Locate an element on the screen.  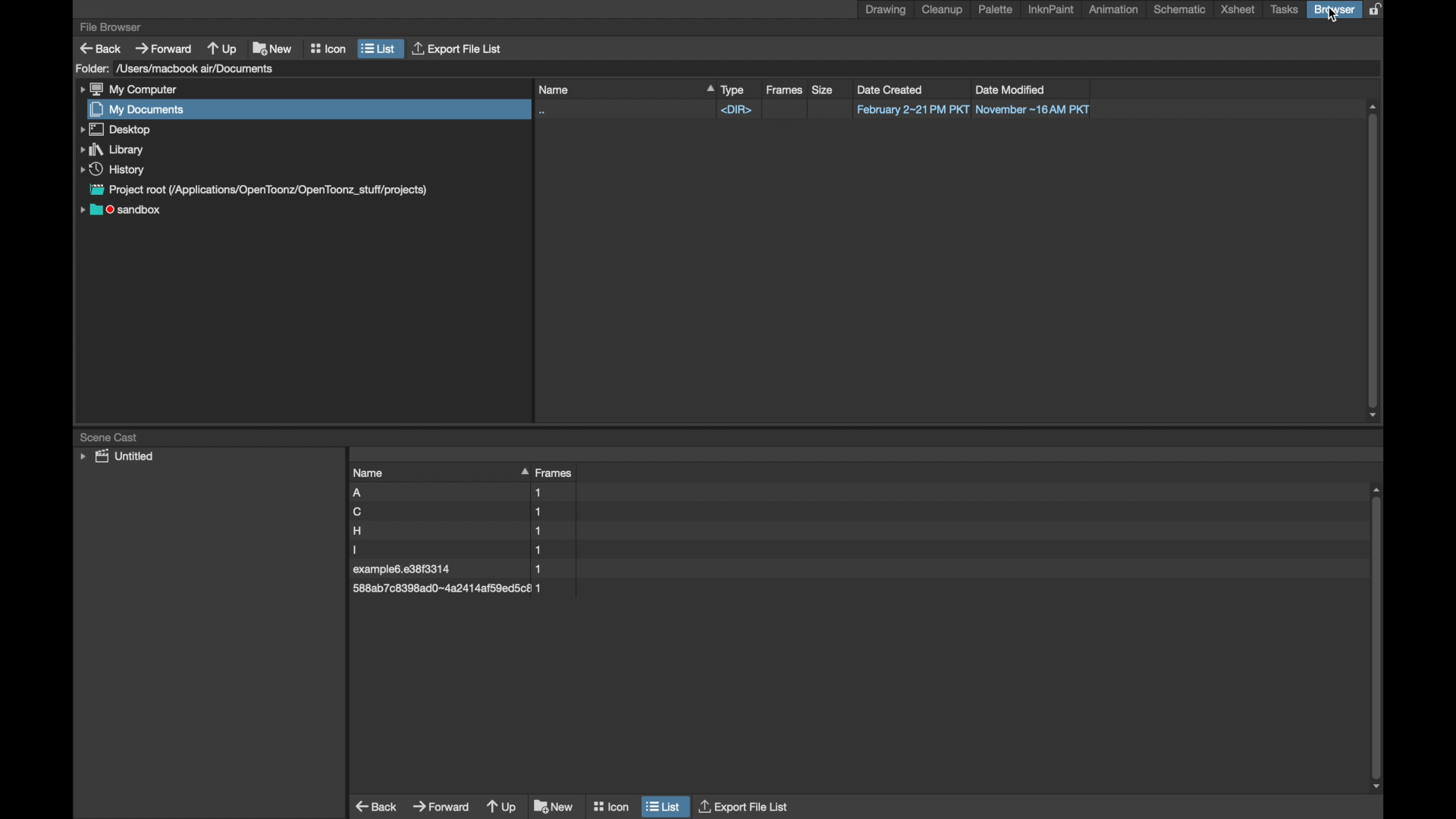
folder is located at coordinates (90, 69).